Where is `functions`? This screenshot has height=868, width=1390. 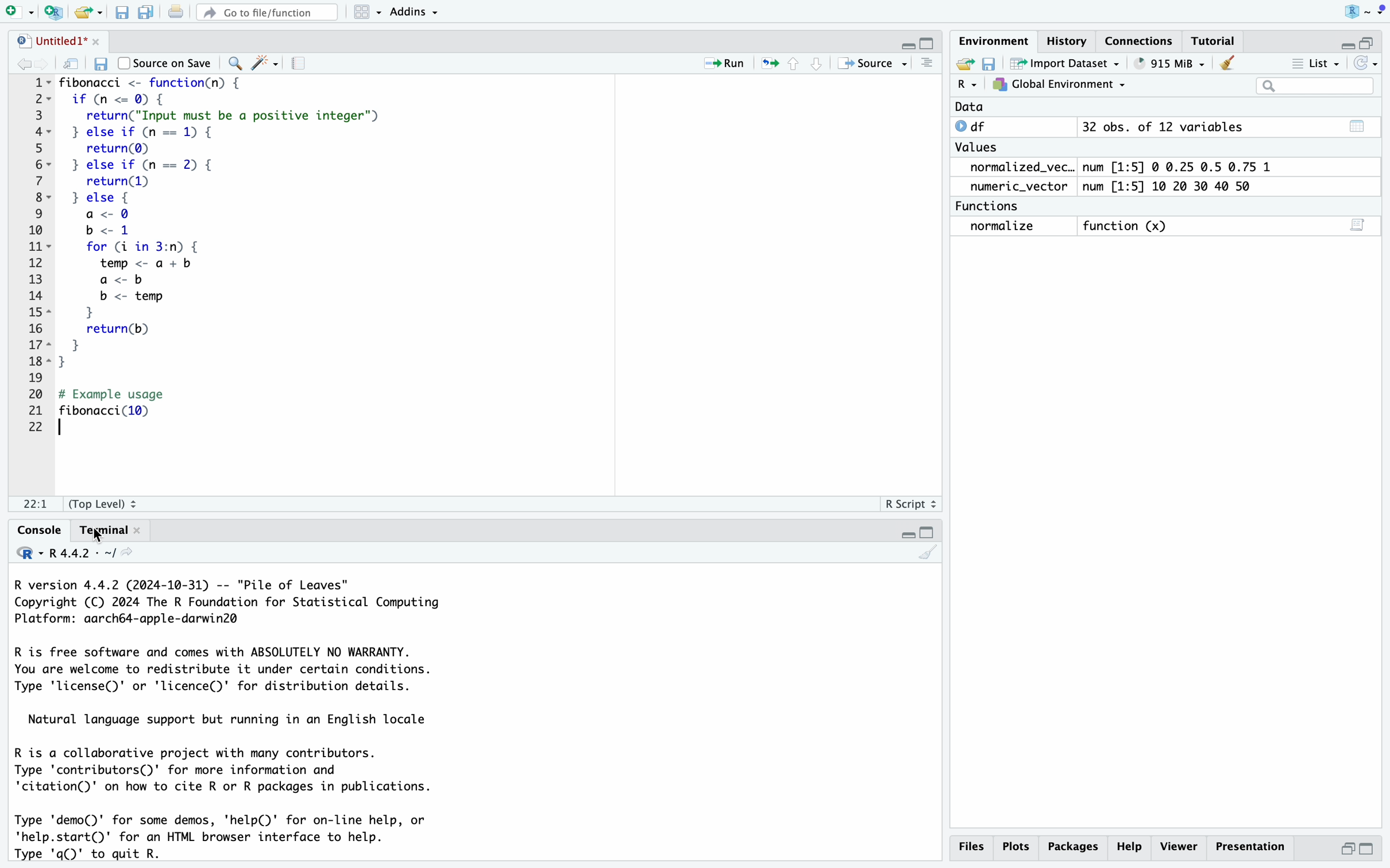
functions is located at coordinates (991, 207).